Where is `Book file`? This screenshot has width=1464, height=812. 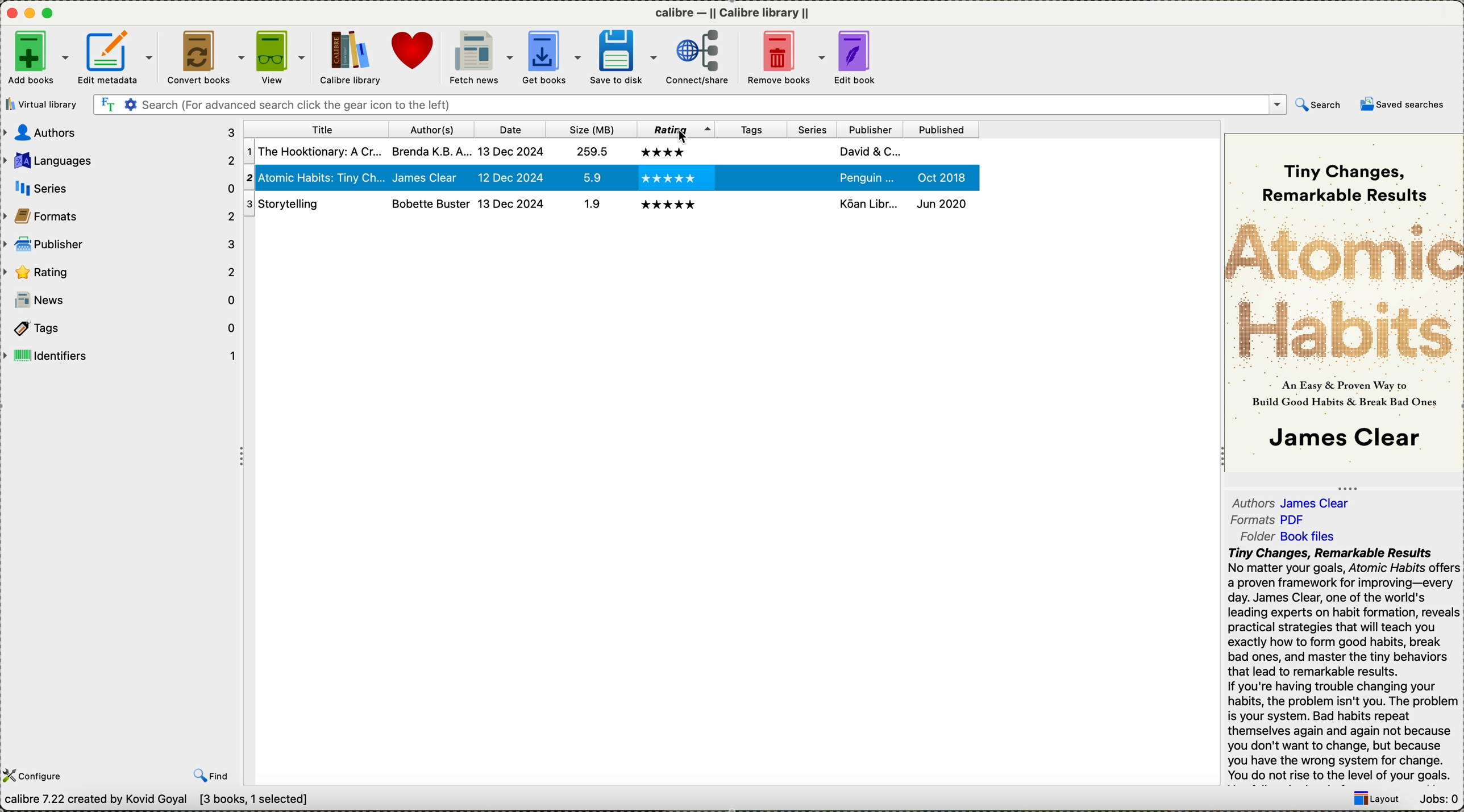
Book file is located at coordinates (1308, 538).